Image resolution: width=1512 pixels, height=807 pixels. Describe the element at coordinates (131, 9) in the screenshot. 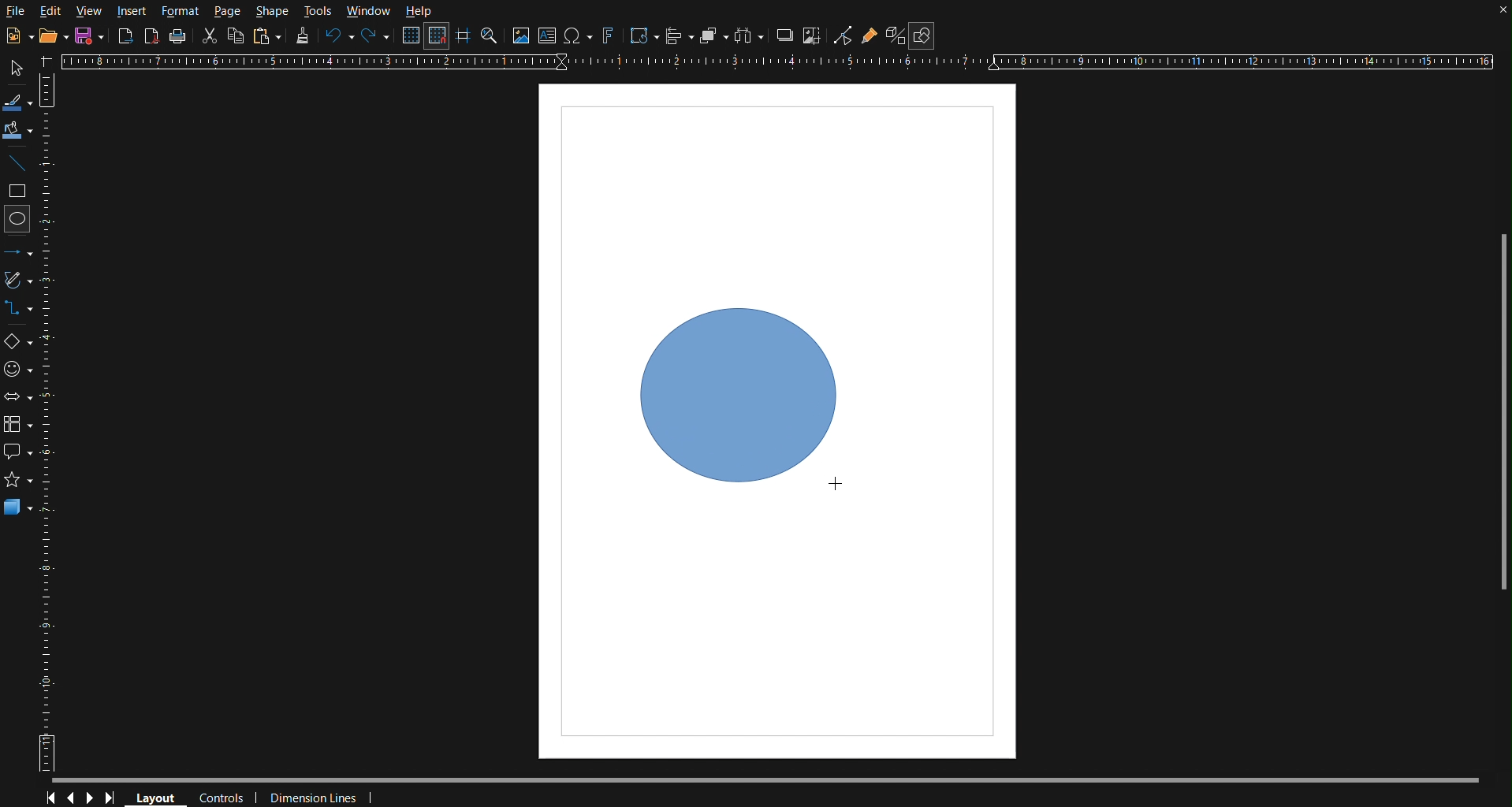

I see `Insert` at that location.